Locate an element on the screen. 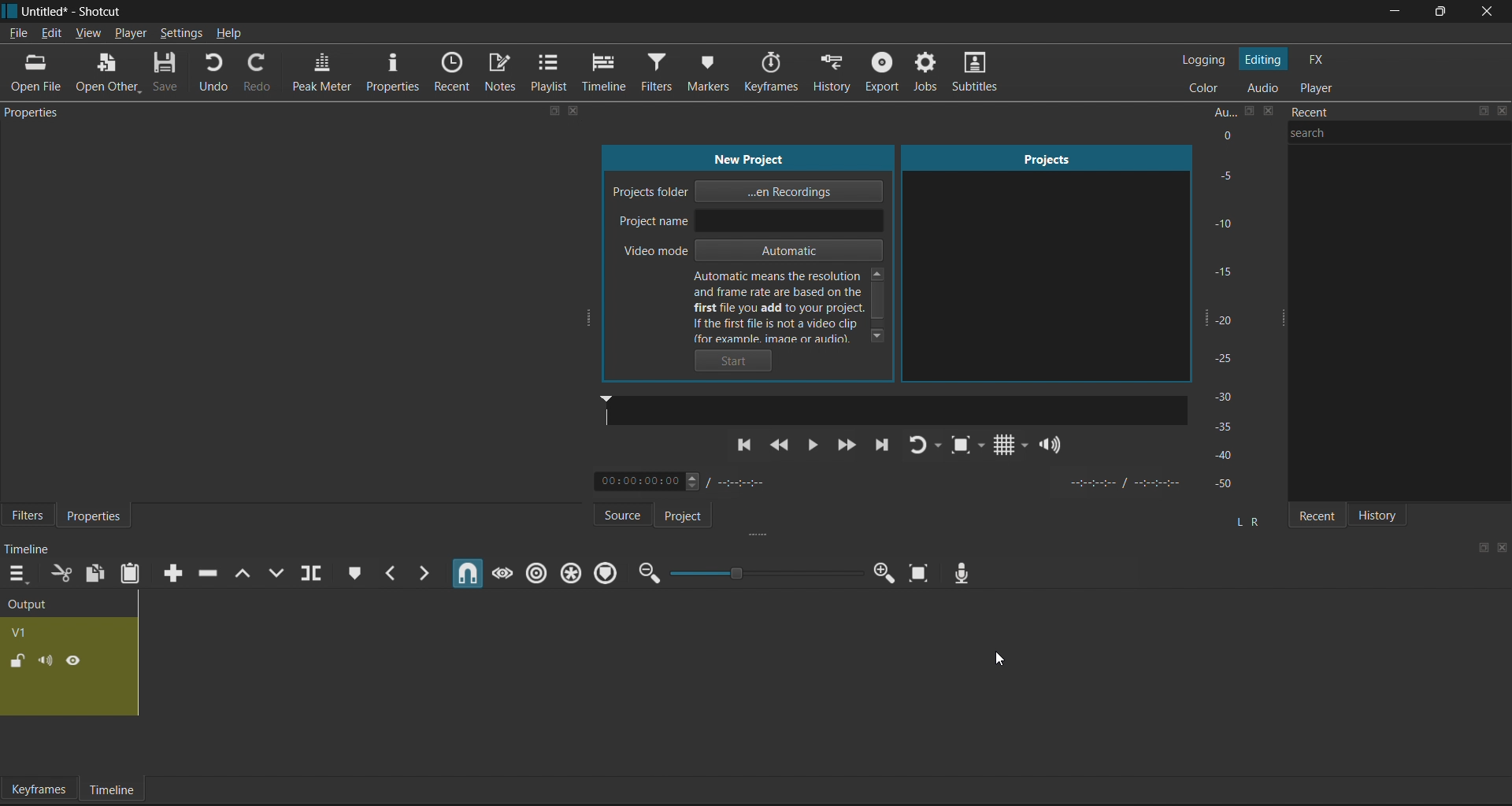 The width and height of the screenshot is (1512, 806). Lift is located at coordinates (246, 571).